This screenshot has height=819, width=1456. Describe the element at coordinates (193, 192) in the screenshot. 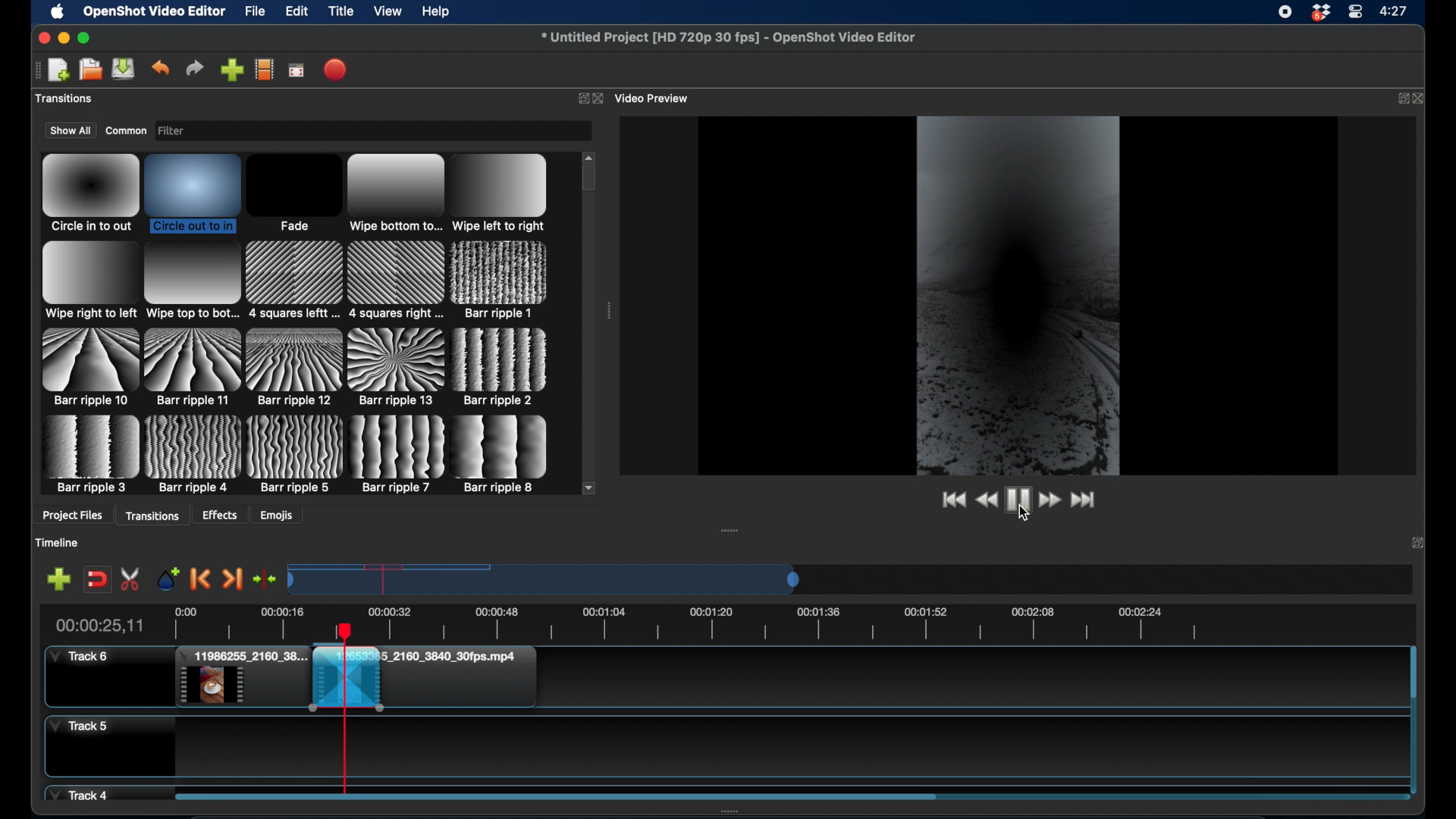

I see `transition` at that location.